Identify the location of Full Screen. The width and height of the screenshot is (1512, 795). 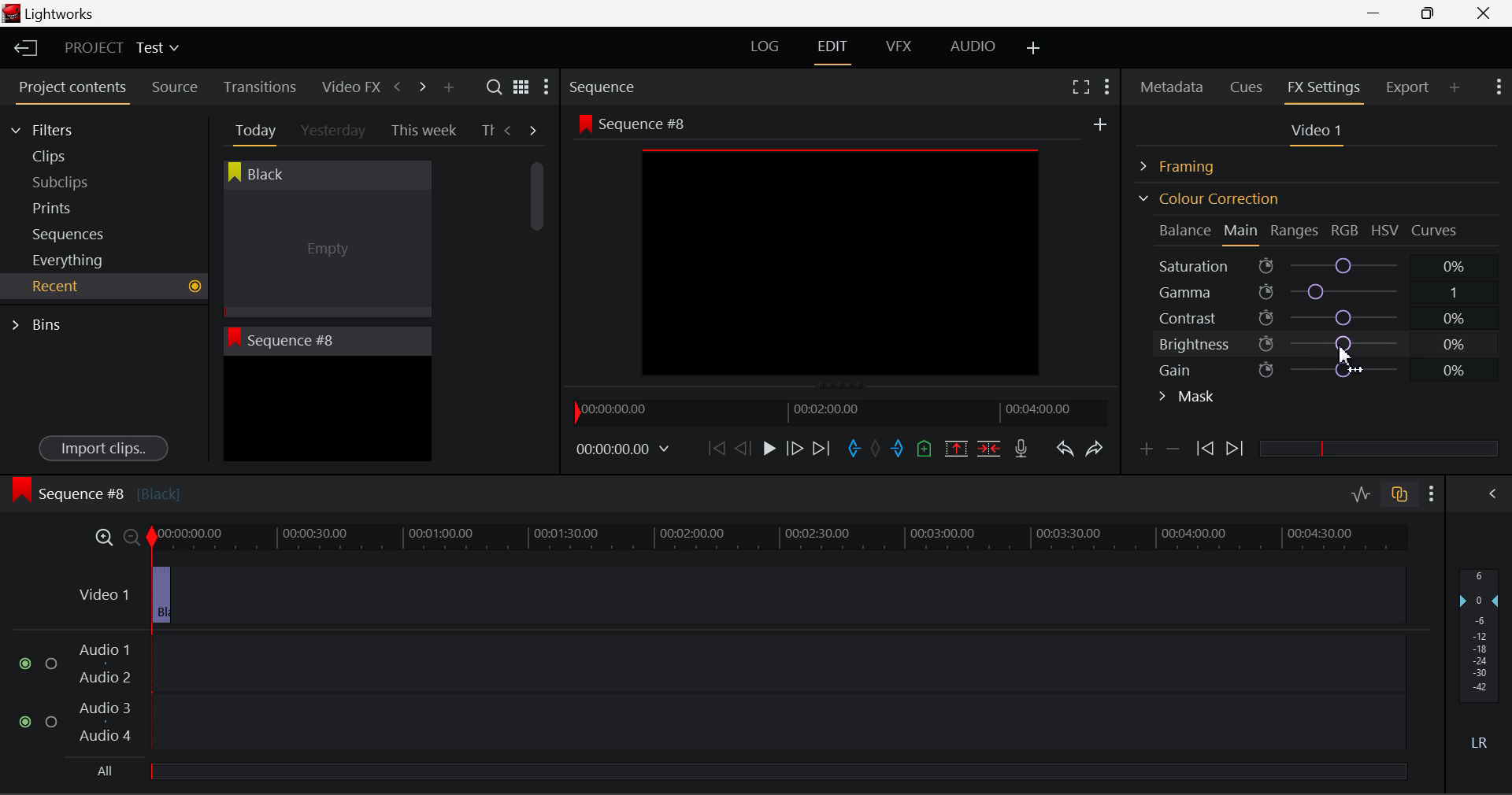
(1080, 86).